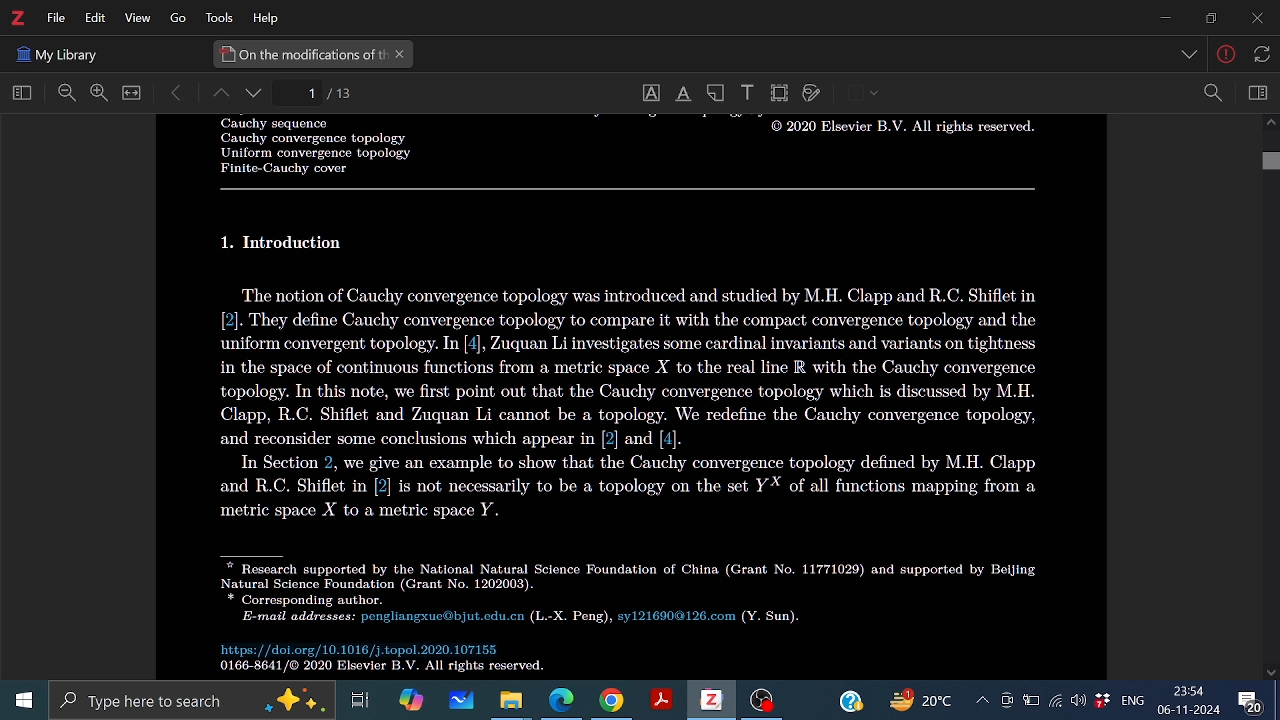 The width and height of the screenshot is (1280, 720). What do you see at coordinates (1079, 700) in the screenshot?
I see `Speaker/Headphone` at bounding box center [1079, 700].